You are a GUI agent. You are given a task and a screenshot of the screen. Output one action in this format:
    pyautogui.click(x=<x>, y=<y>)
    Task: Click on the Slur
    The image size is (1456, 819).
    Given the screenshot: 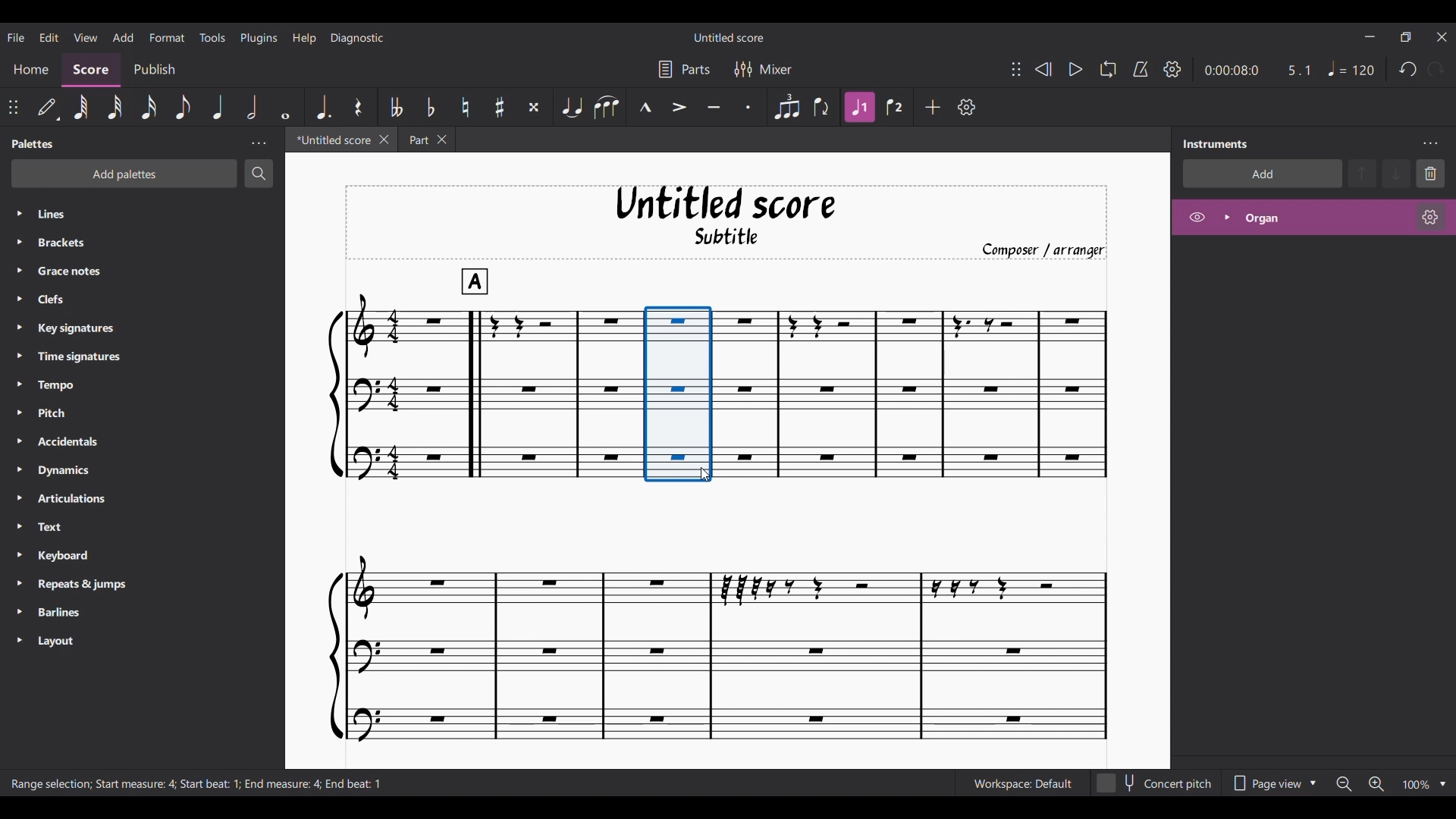 What is the action you would take?
    pyautogui.click(x=607, y=108)
    